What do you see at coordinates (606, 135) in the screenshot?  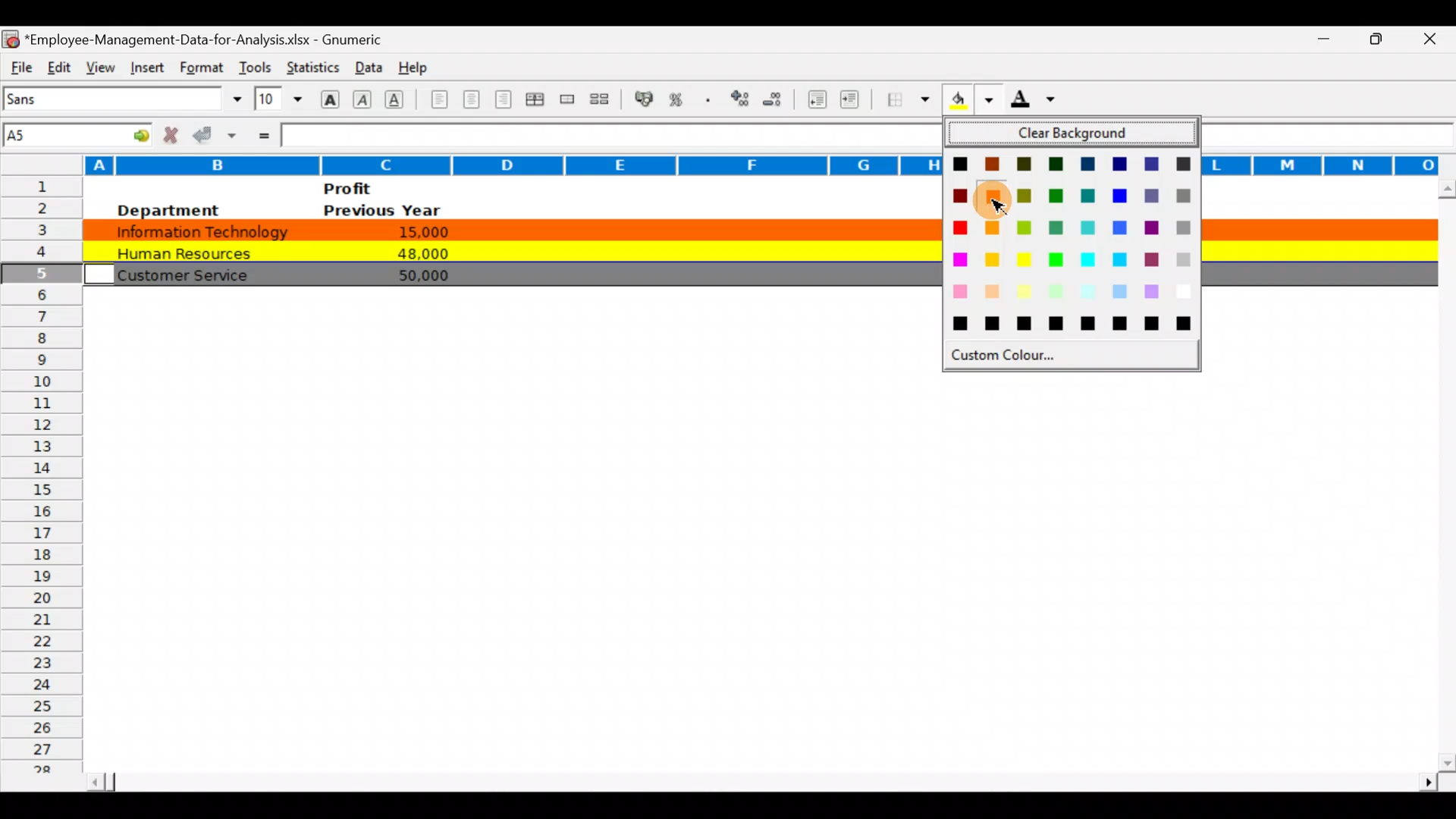 I see `Formula bar` at bounding box center [606, 135].